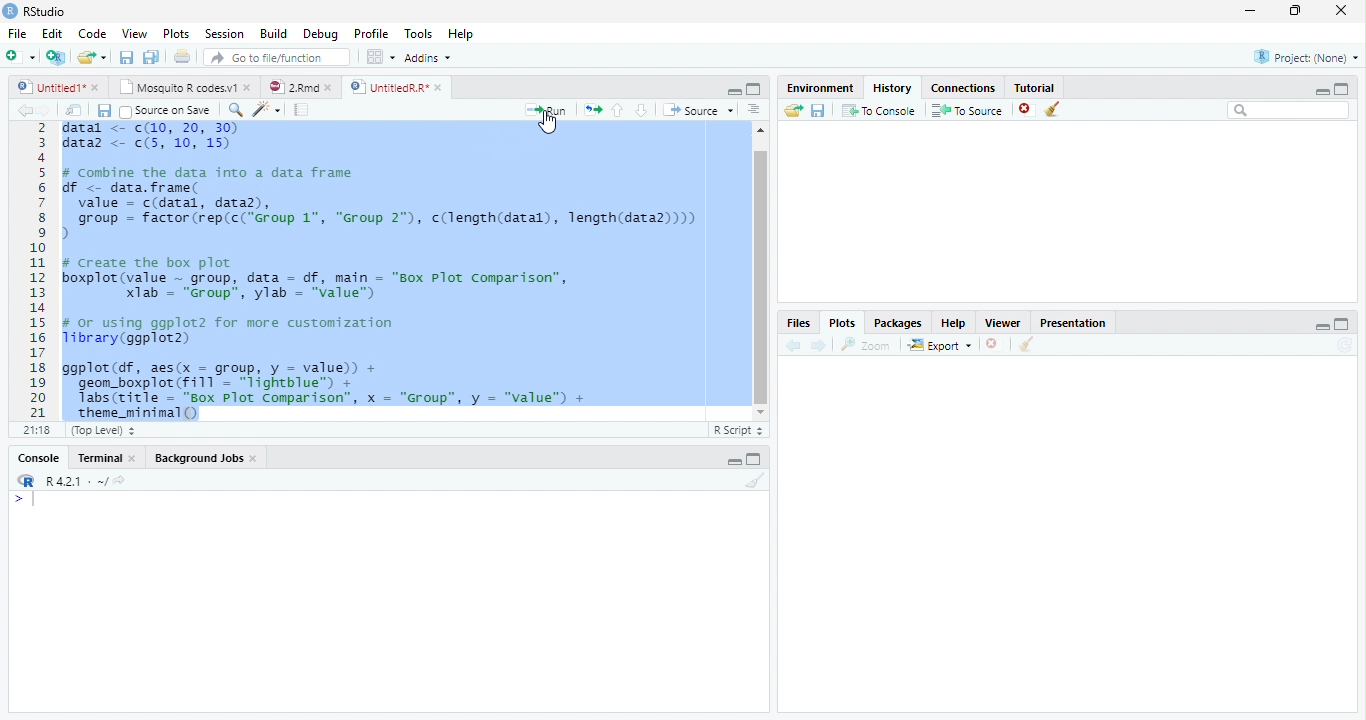 Image resolution: width=1366 pixels, height=720 pixels. I want to click on Debug, so click(319, 34).